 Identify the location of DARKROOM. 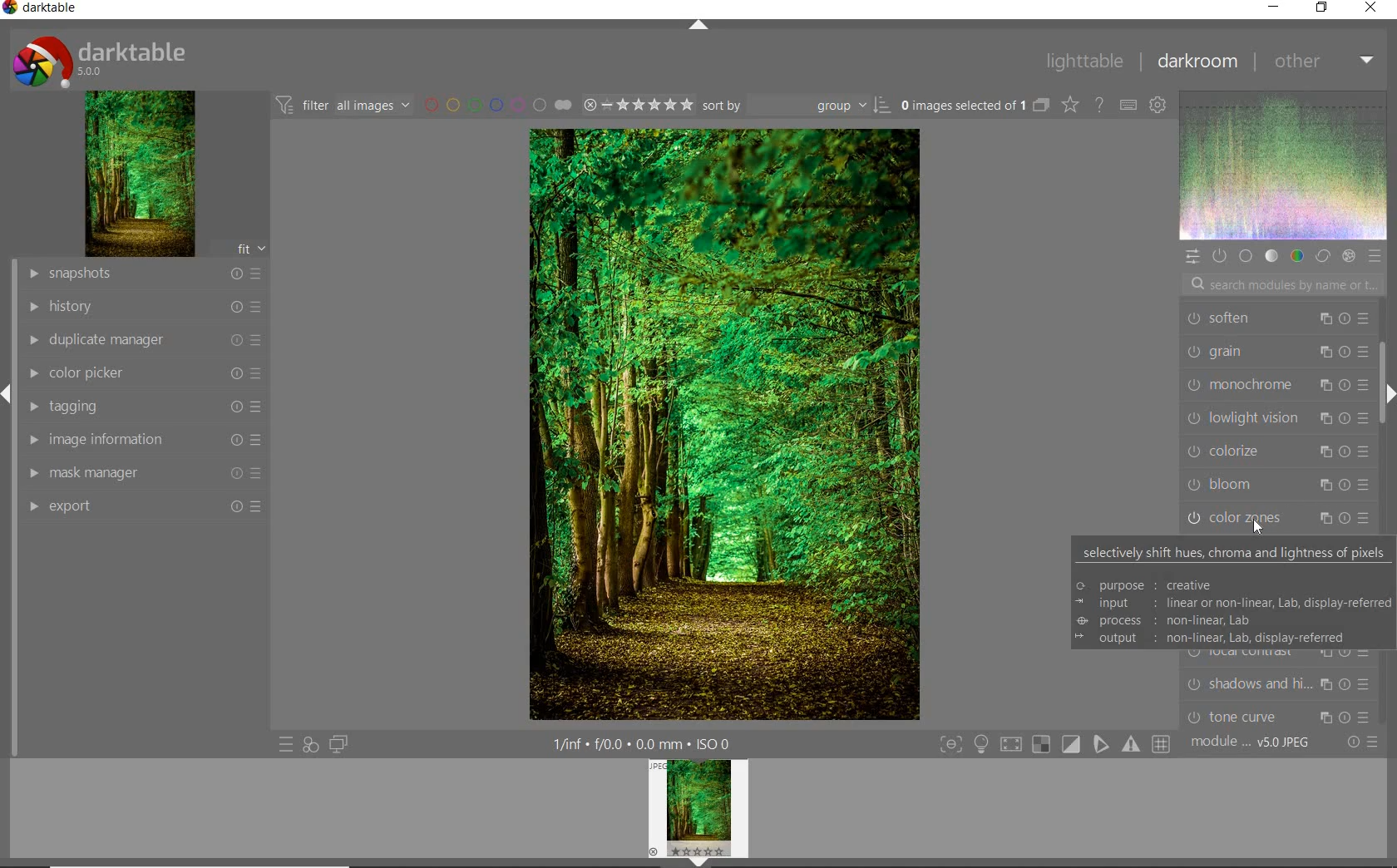
(1198, 63).